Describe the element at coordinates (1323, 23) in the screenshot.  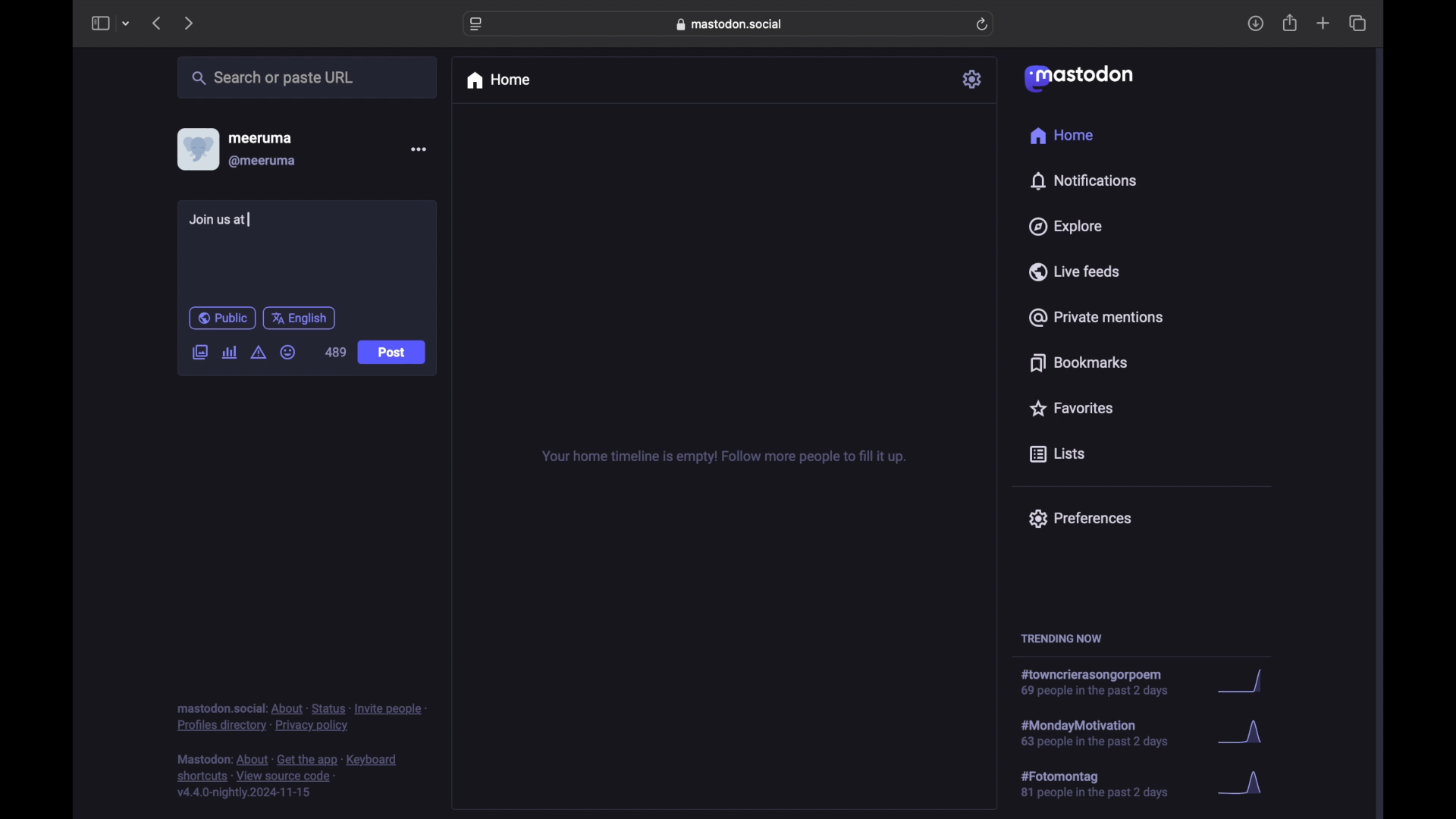
I see `new tab` at that location.